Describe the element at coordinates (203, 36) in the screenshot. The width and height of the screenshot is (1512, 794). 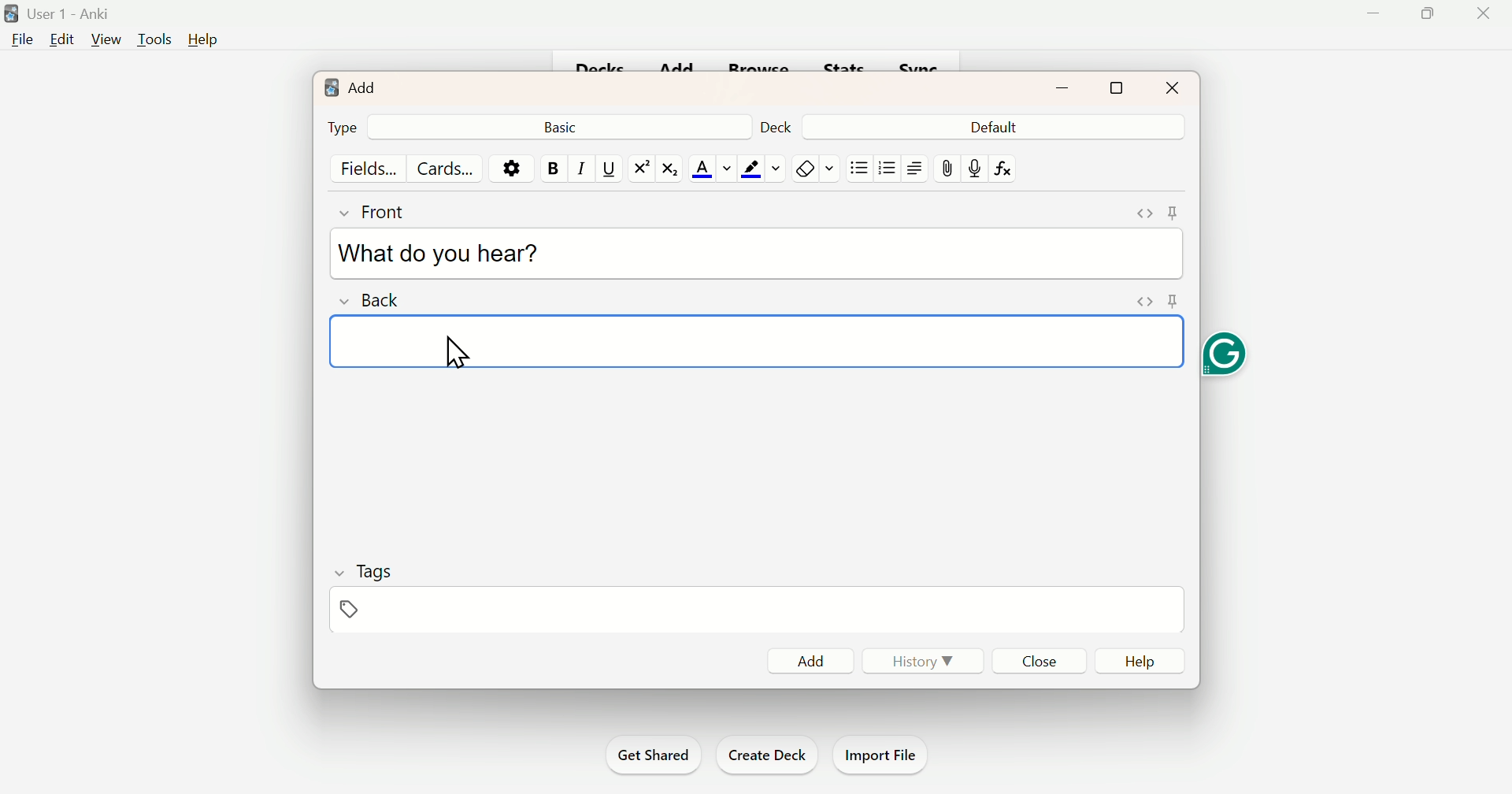
I see `Help` at that location.